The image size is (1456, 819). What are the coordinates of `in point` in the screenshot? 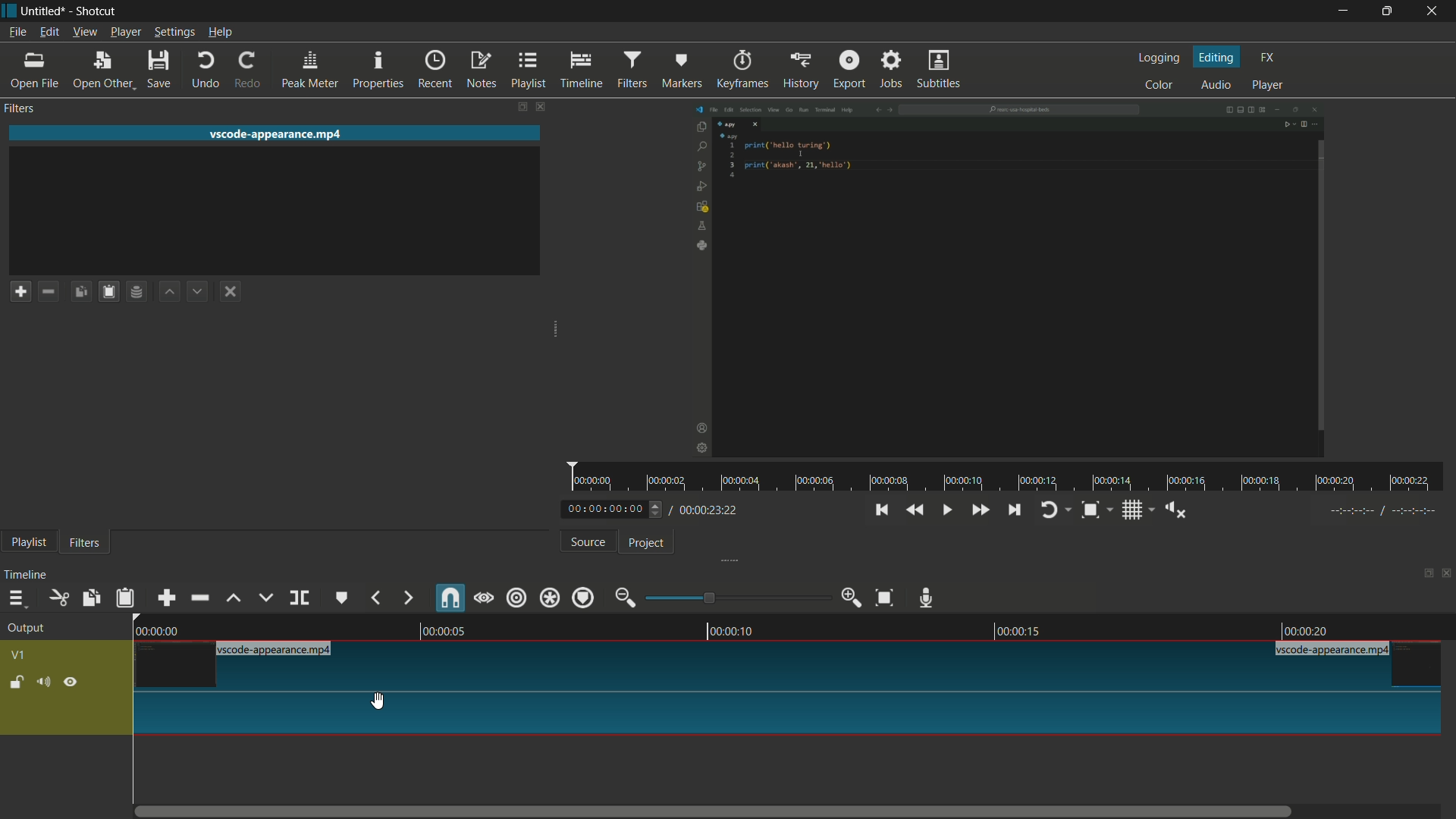 It's located at (1385, 510).